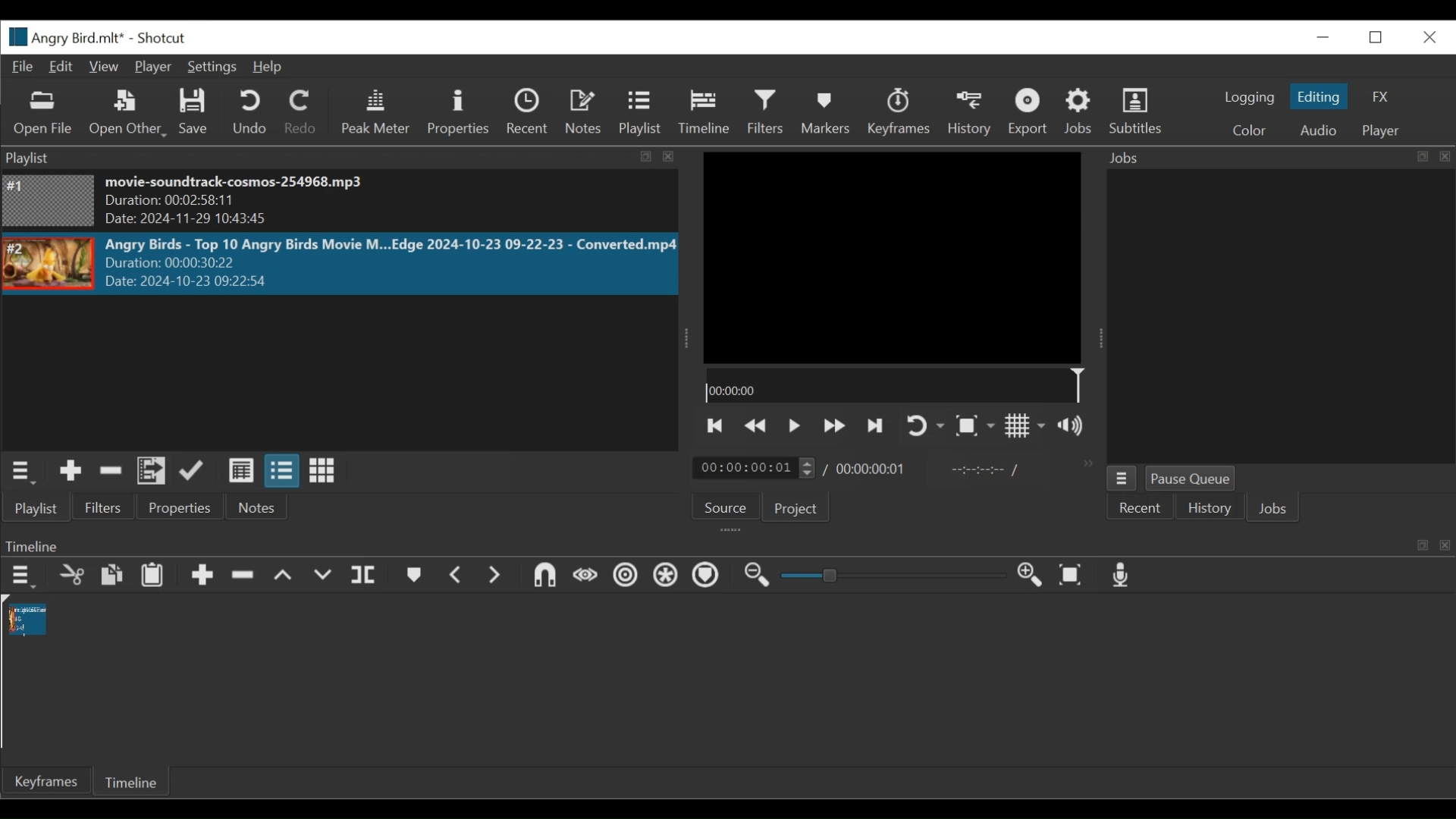 This screenshot has width=1456, height=819. I want to click on Add files to the playlist, so click(152, 472).